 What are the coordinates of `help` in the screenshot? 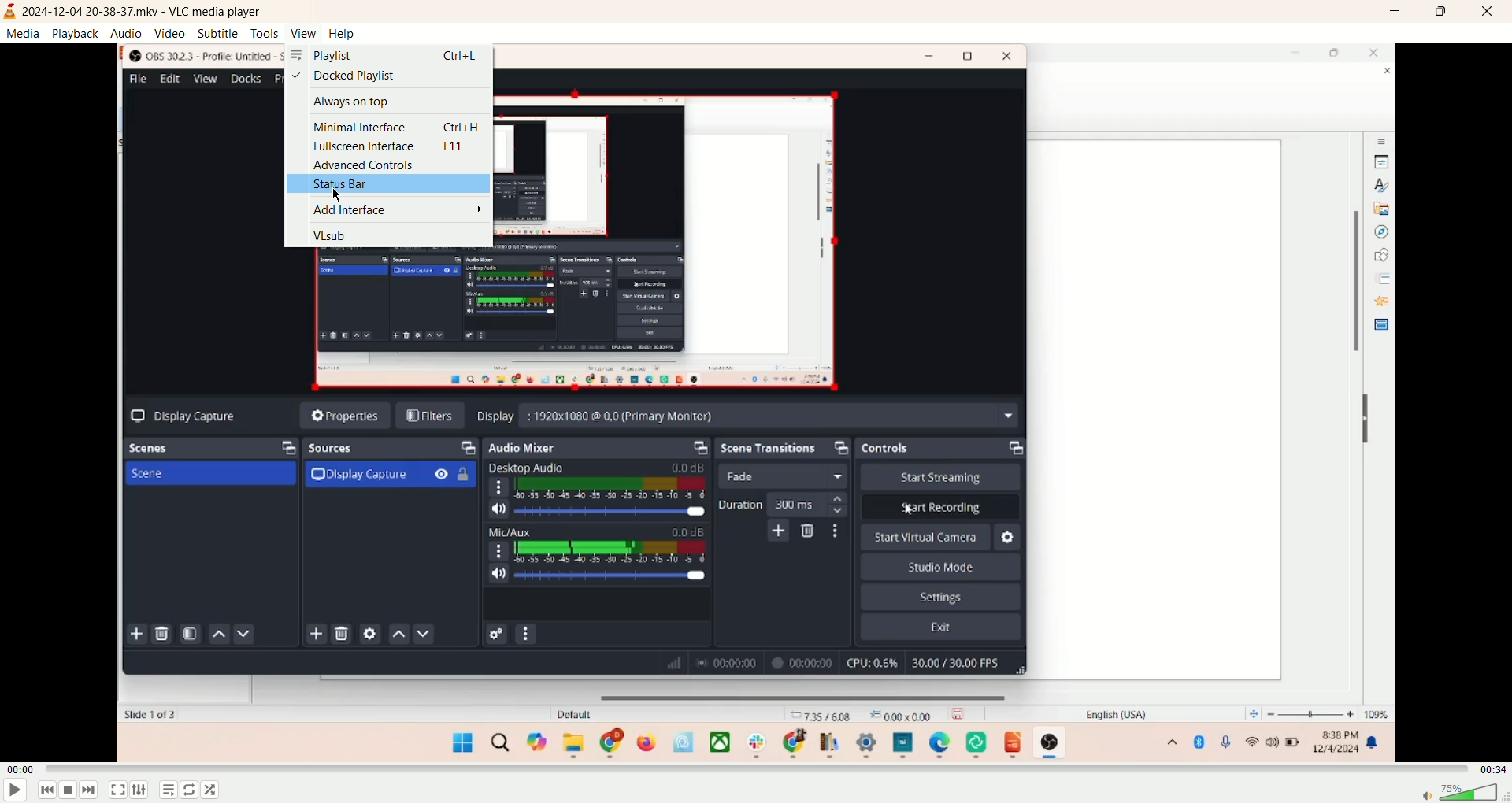 It's located at (342, 34).